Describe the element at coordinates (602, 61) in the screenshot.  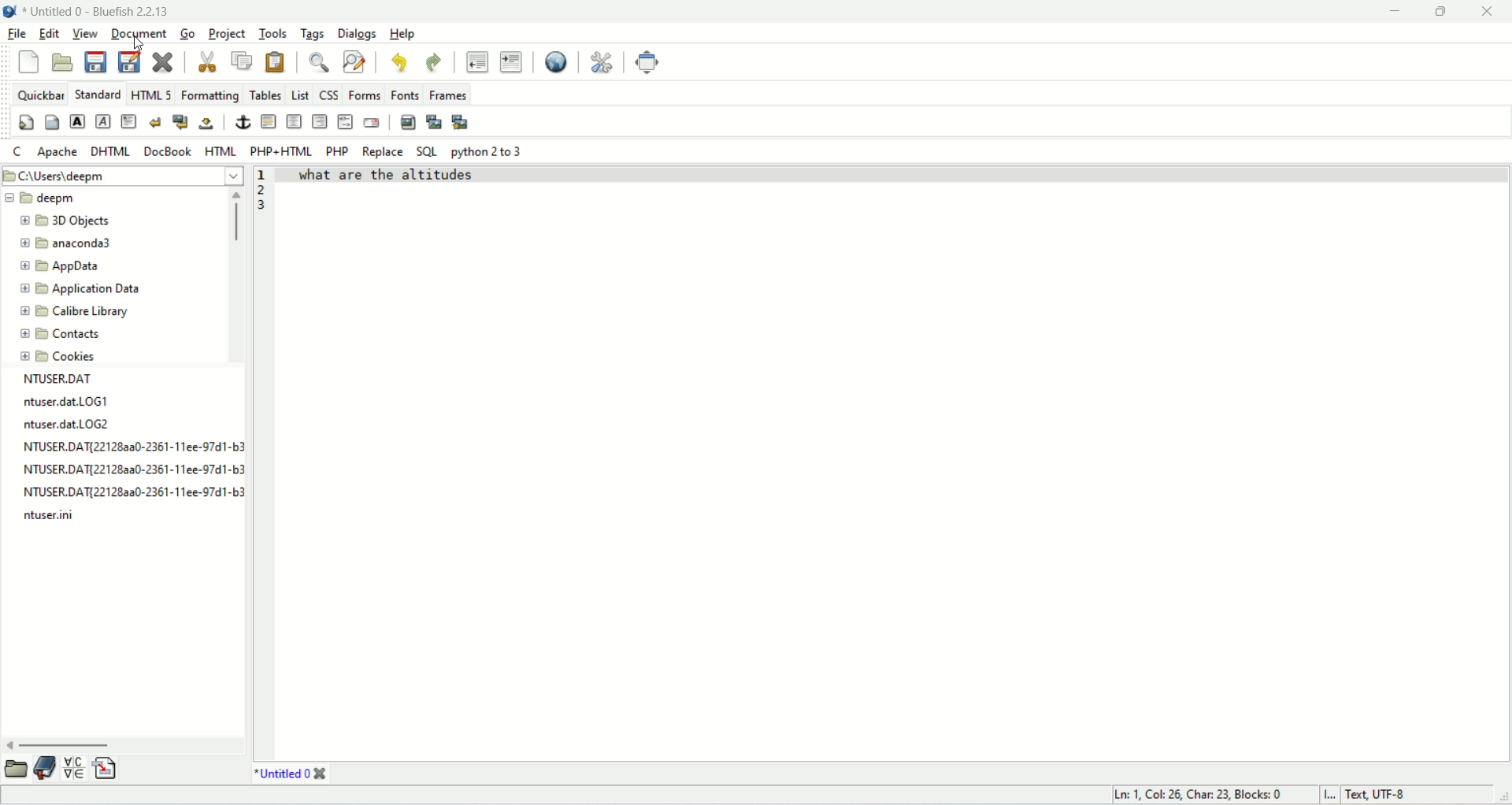
I see `edit preferences` at that location.